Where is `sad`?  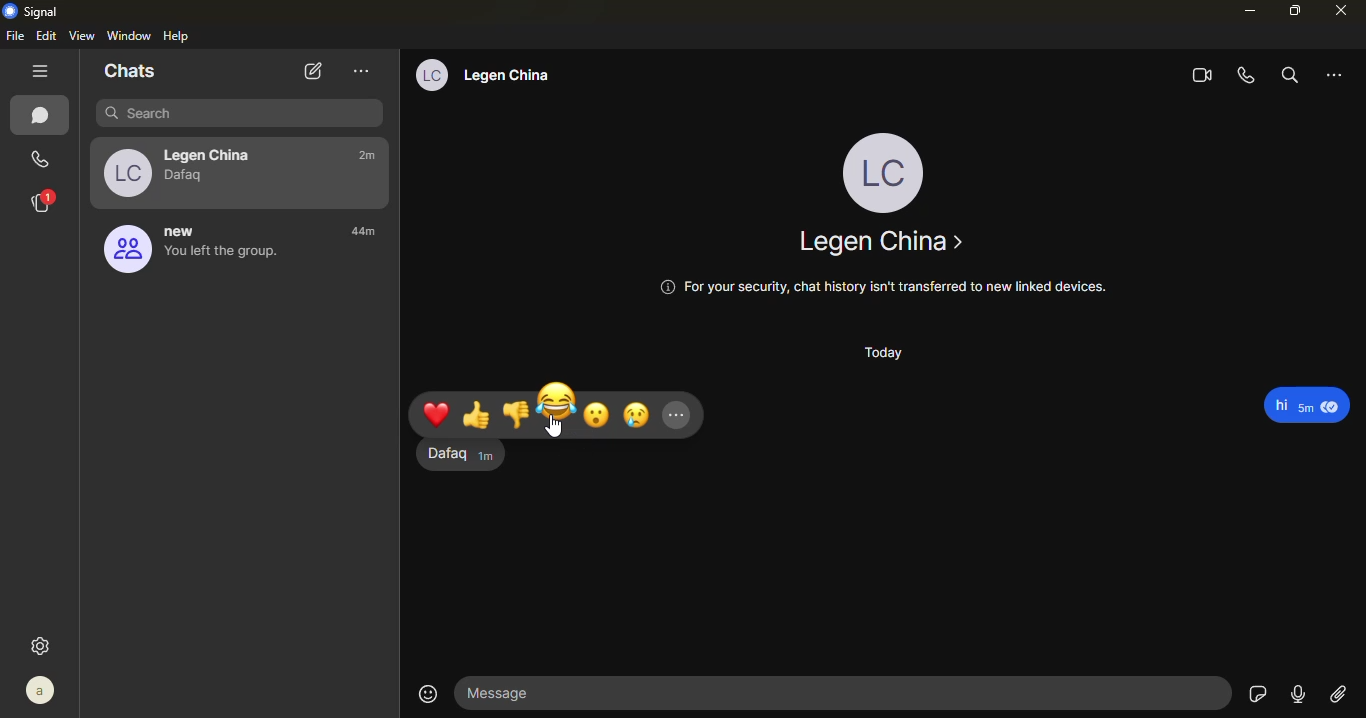
sad is located at coordinates (637, 415).